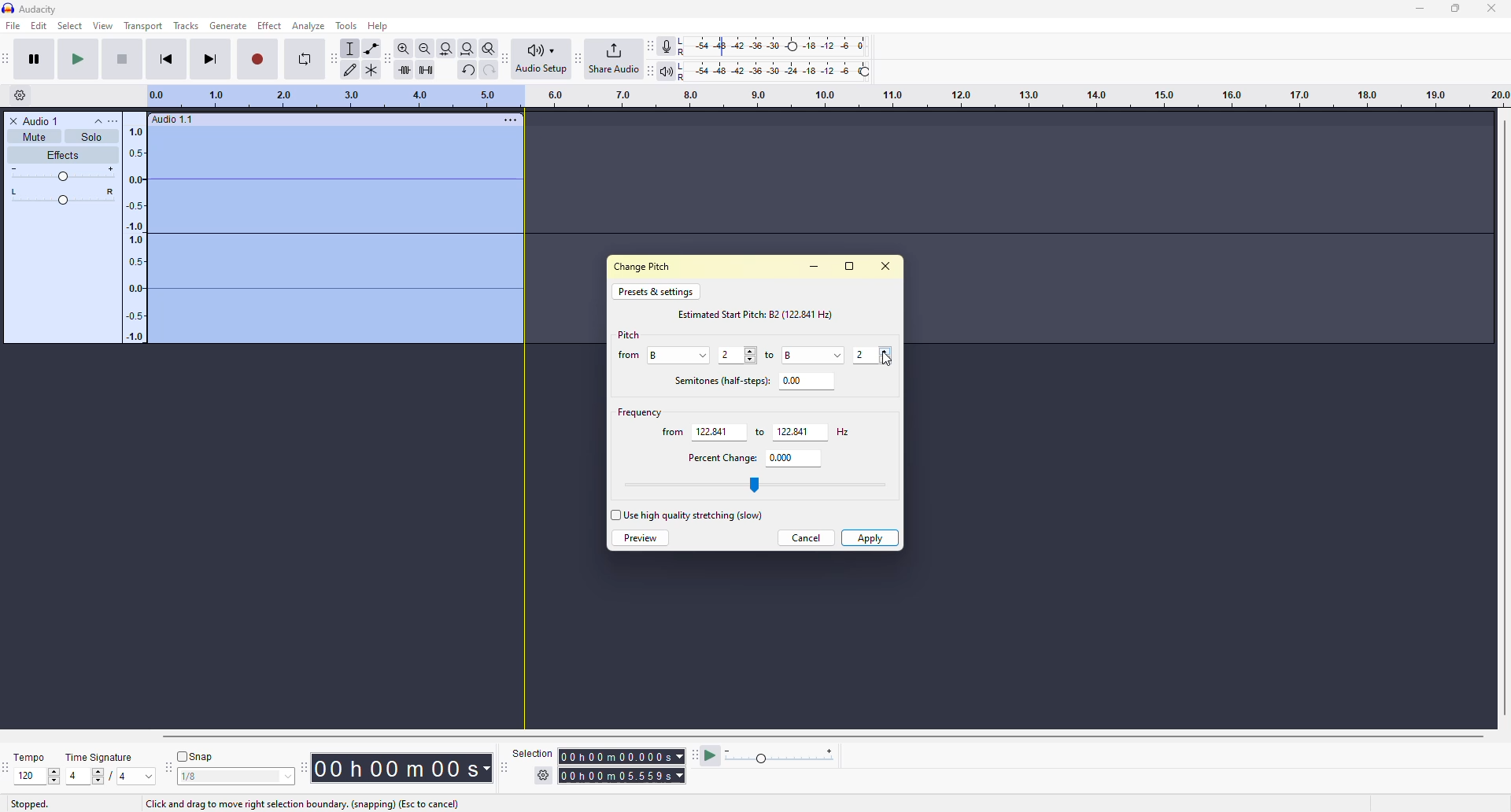 The width and height of the screenshot is (1511, 812). Describe the element at coordinates (545, 775) in the screenshot. I see `settings` at that location.